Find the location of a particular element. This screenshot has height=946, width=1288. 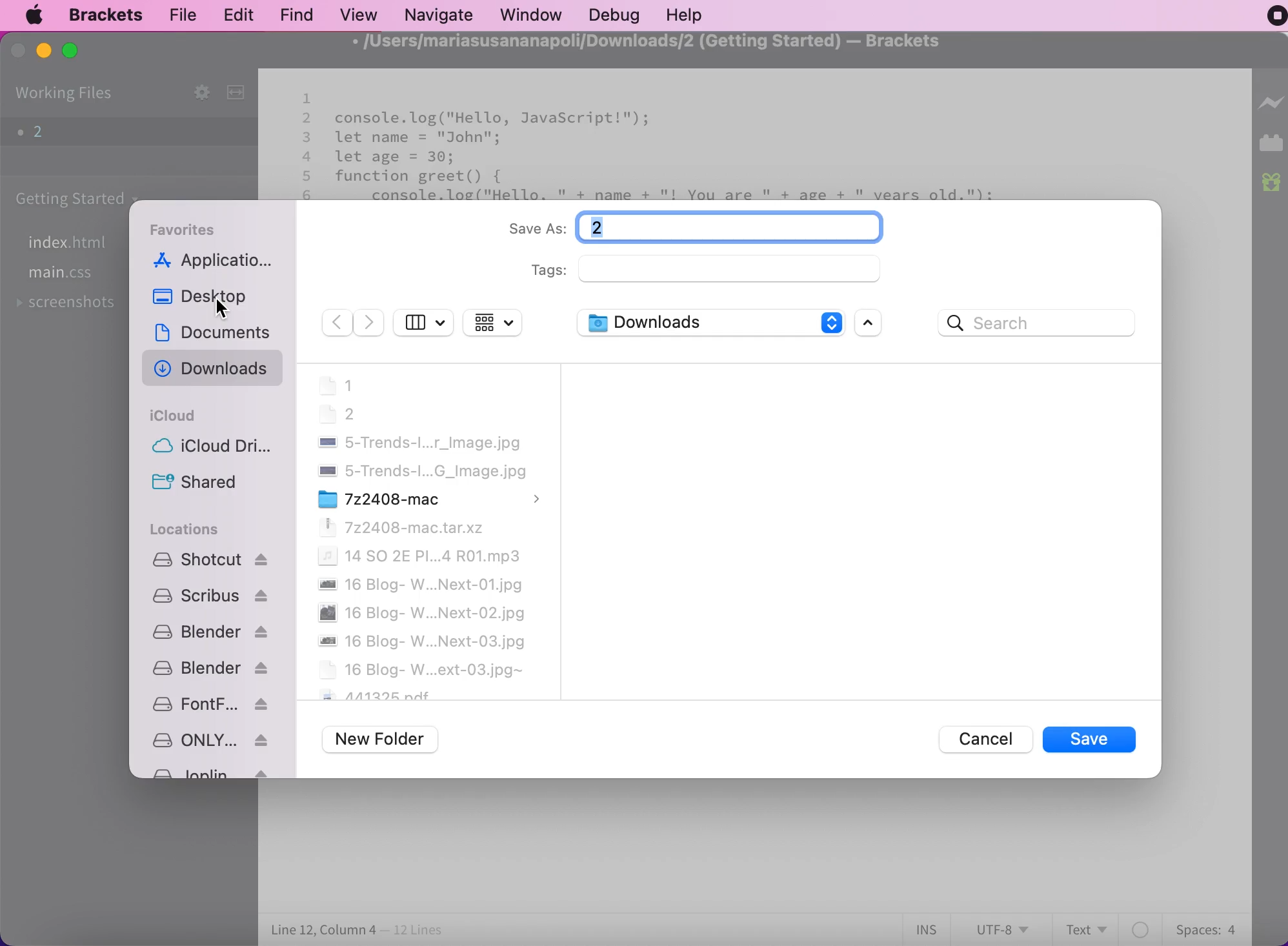

shared is located at coordinates (209, 484).